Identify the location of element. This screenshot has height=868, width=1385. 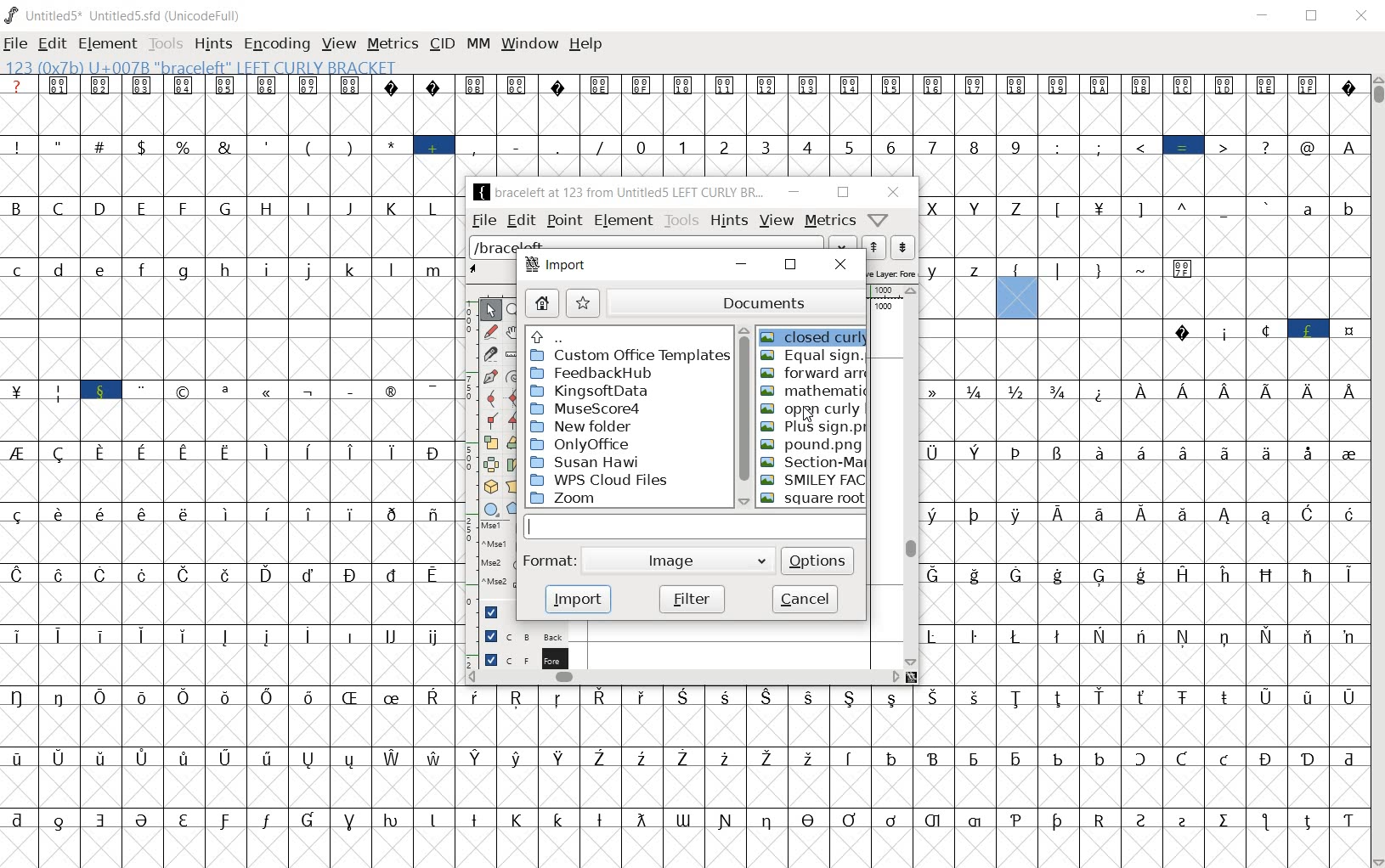
(107, 44).